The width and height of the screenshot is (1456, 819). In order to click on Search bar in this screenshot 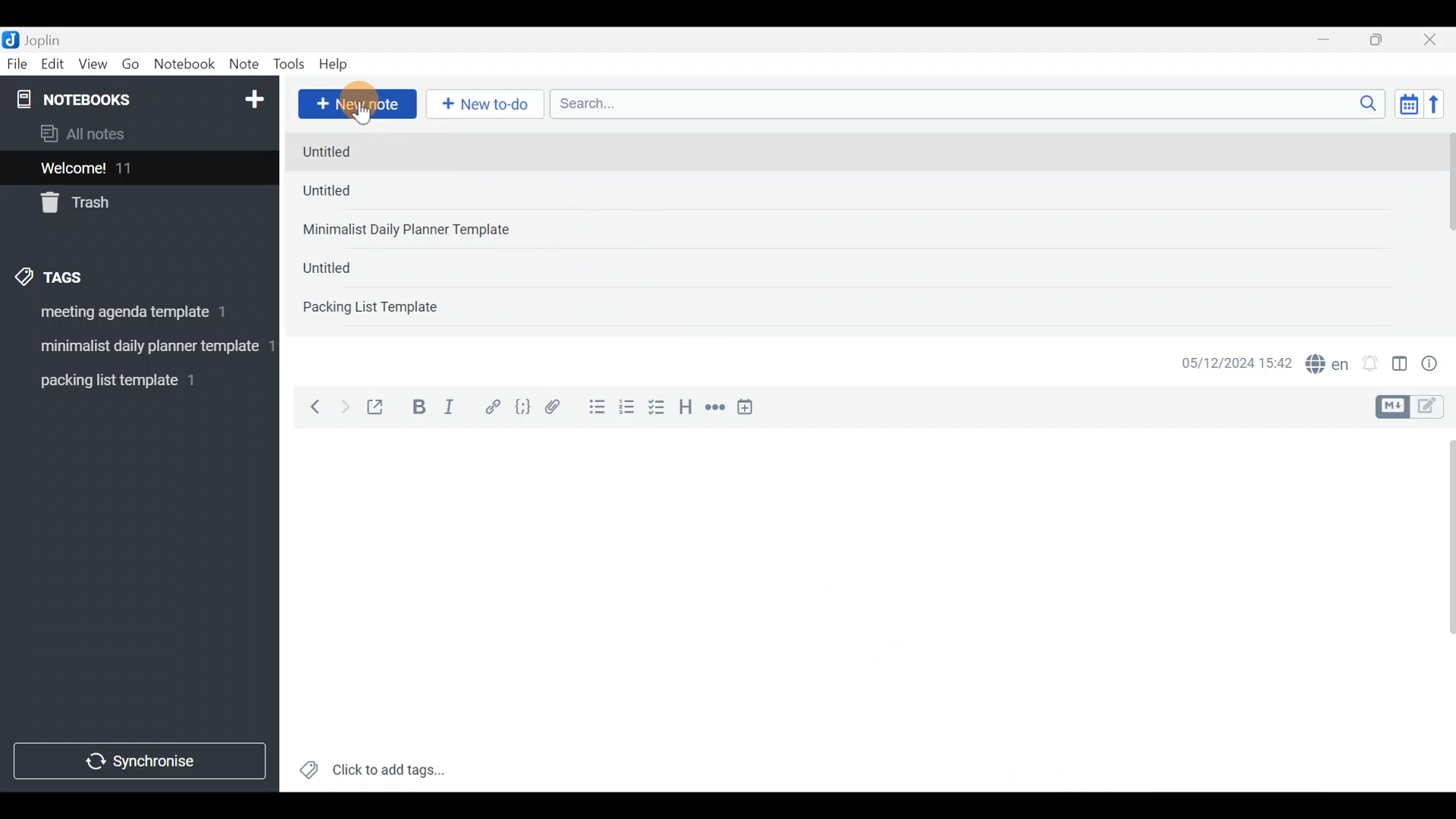, I will do `click(971, 102)`.